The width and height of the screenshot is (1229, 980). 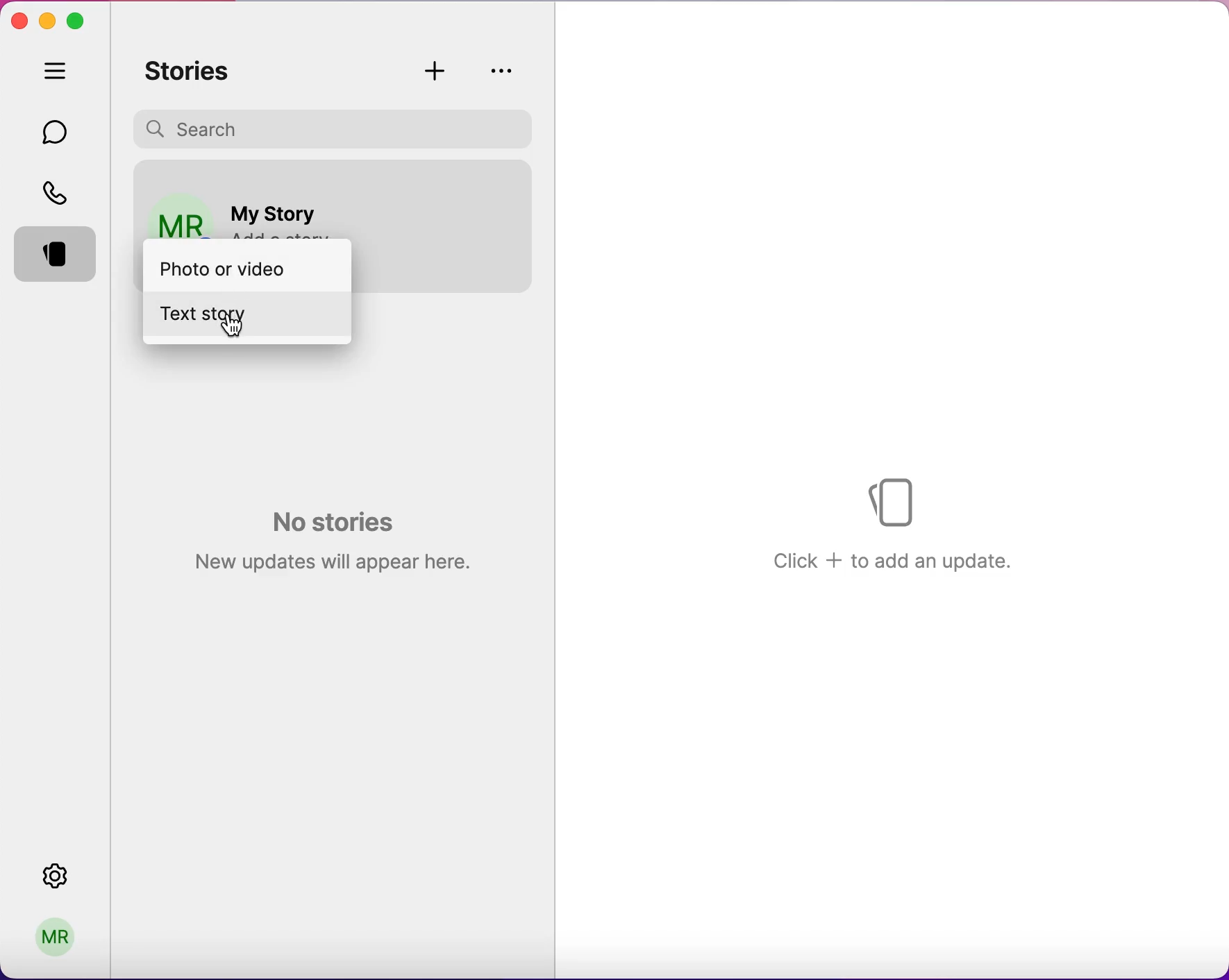 What do you see at coordinates (242, 267) in the screenshot?
I see `photo or video` at bounding box center [242, 267].